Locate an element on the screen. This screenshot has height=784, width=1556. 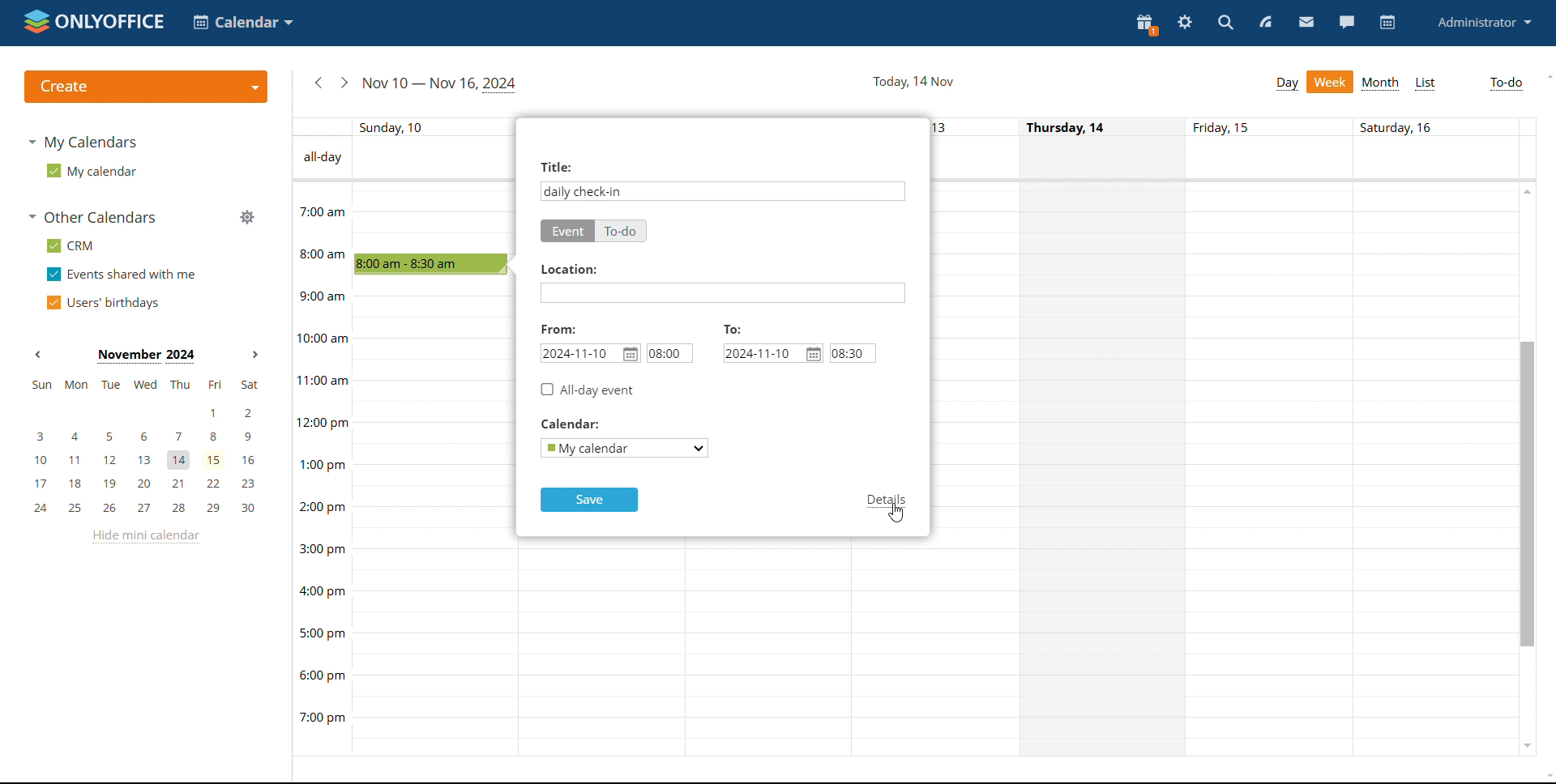
settings is located at coordinates (1186, 23).